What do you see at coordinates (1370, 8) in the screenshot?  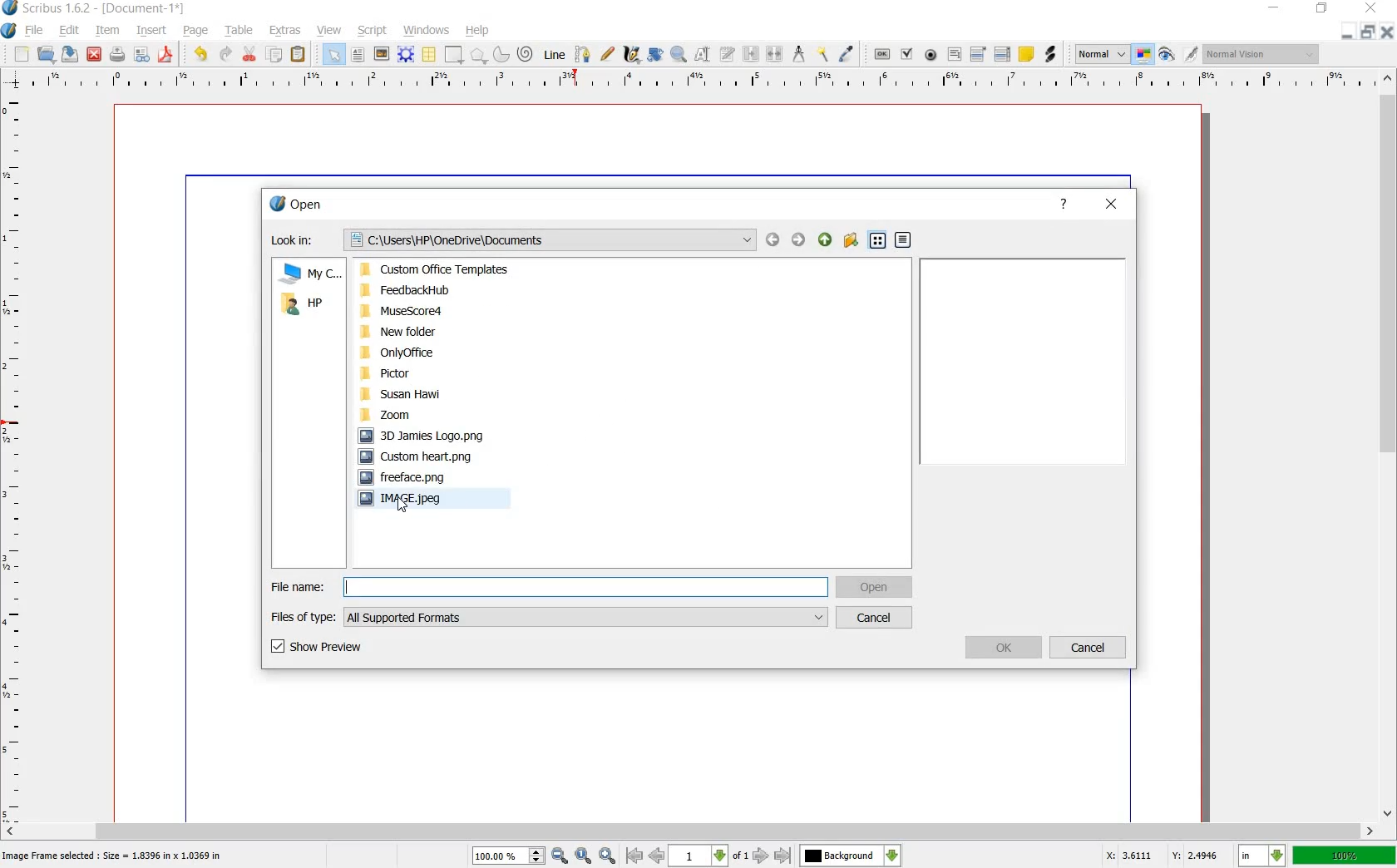 I see `close` at bounding box center [1370, 8].